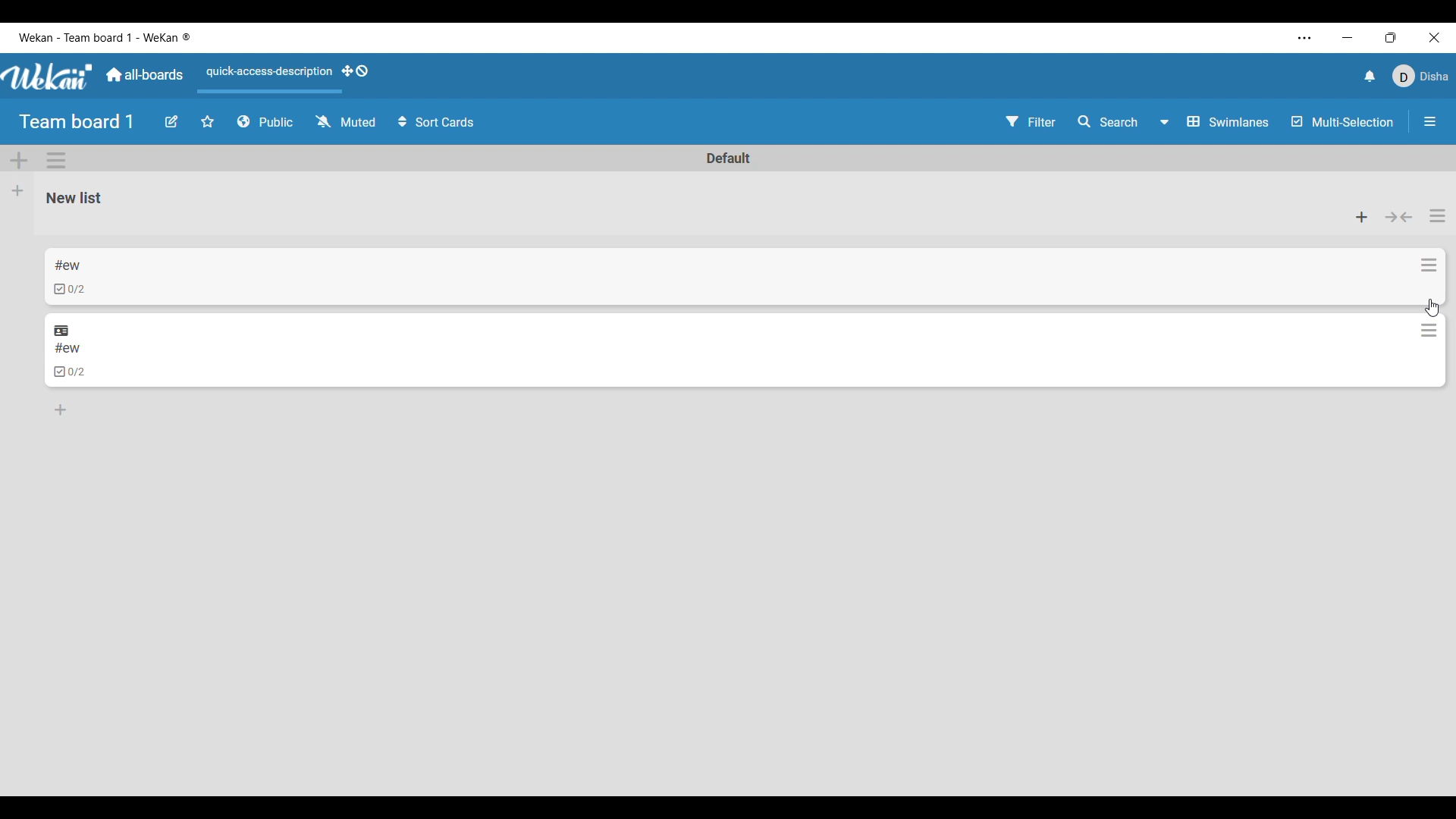  I want to click on Close interface, so click(1434, 37).